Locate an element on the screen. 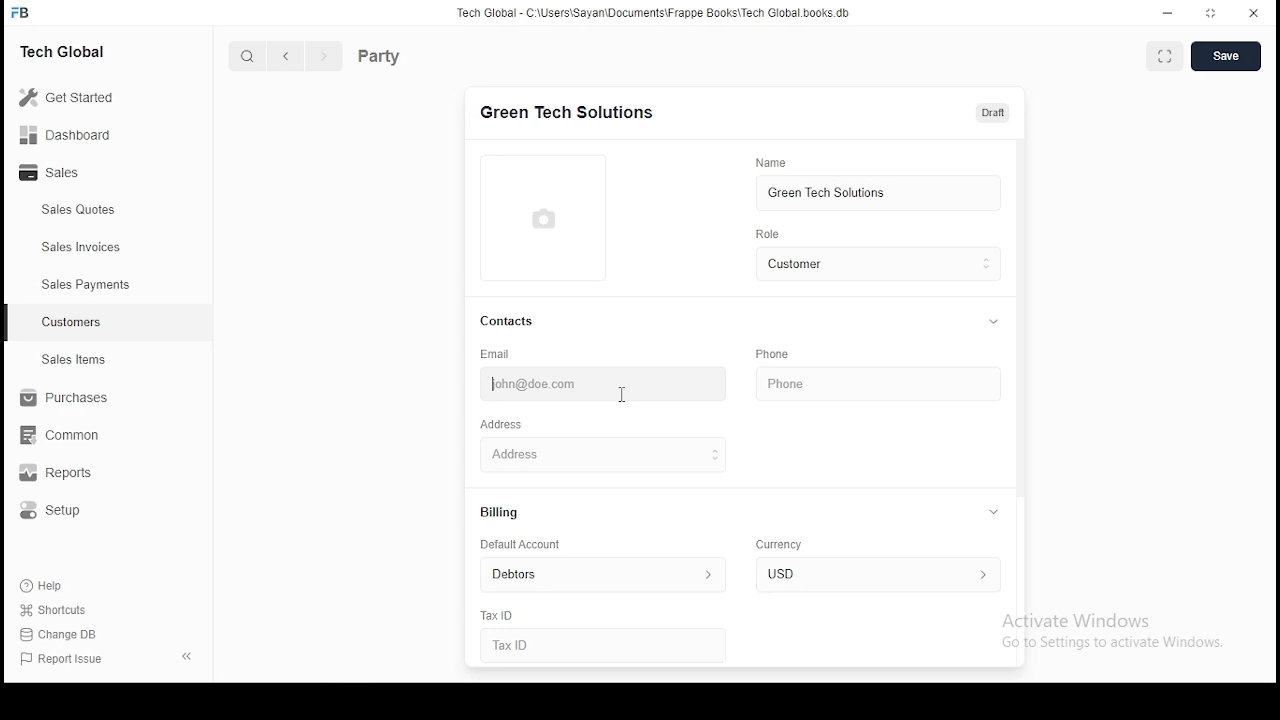  role is located at coordinates (766, 234).